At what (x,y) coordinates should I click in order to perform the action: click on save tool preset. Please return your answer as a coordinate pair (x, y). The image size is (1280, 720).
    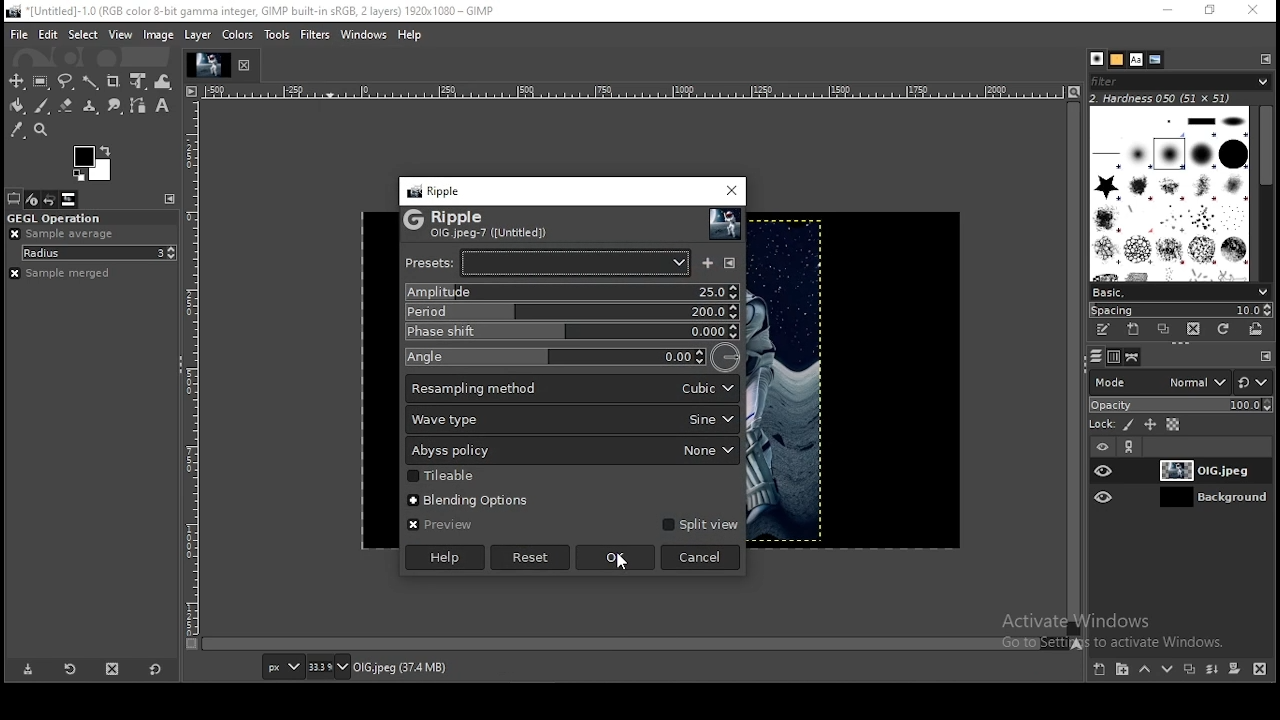
    Looking at the image, I should click on (30, 671).